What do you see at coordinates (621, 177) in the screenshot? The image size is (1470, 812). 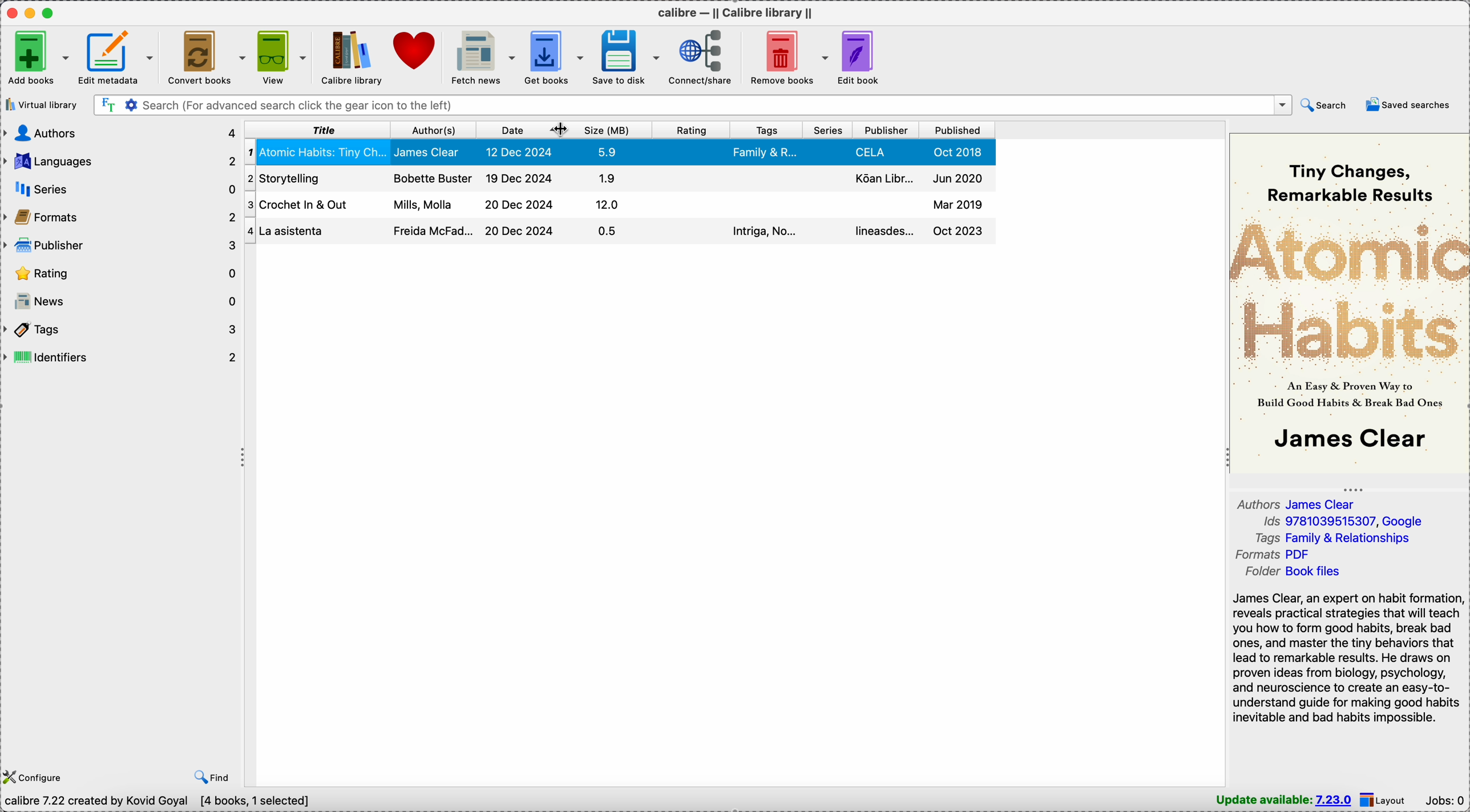 I see `Crochet In & Out book details` at bounding box center [621, 177].